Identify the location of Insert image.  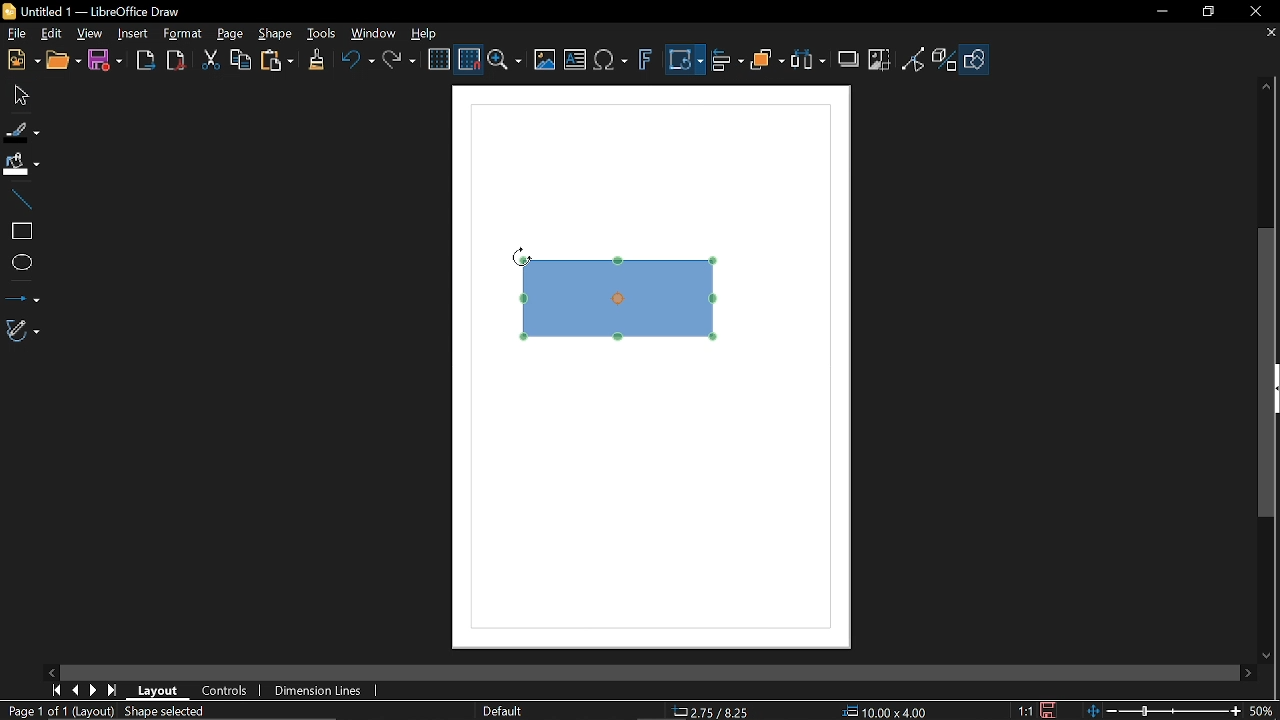
(545, 61).